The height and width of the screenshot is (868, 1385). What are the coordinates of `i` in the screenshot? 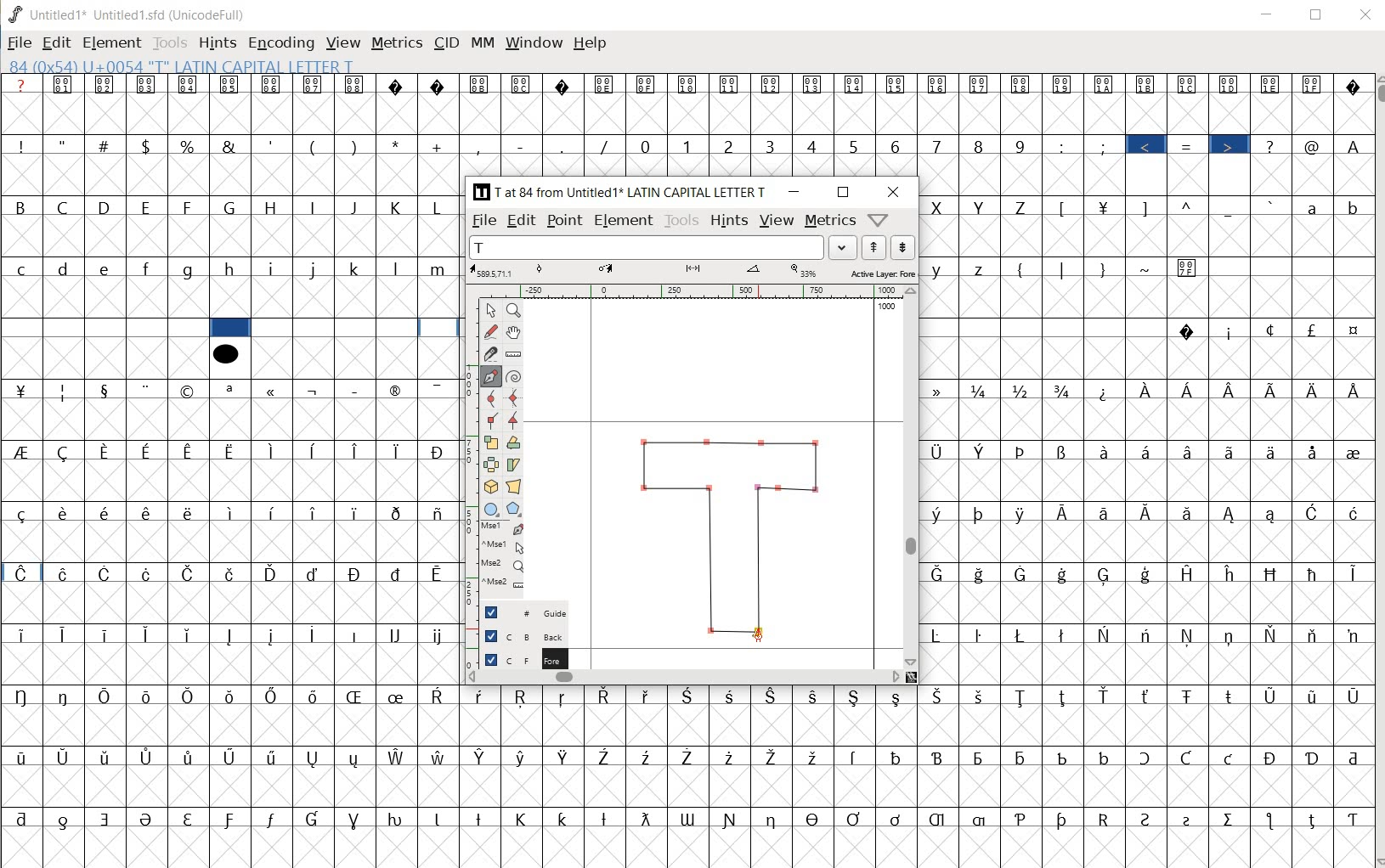 It's located at (274, 268).